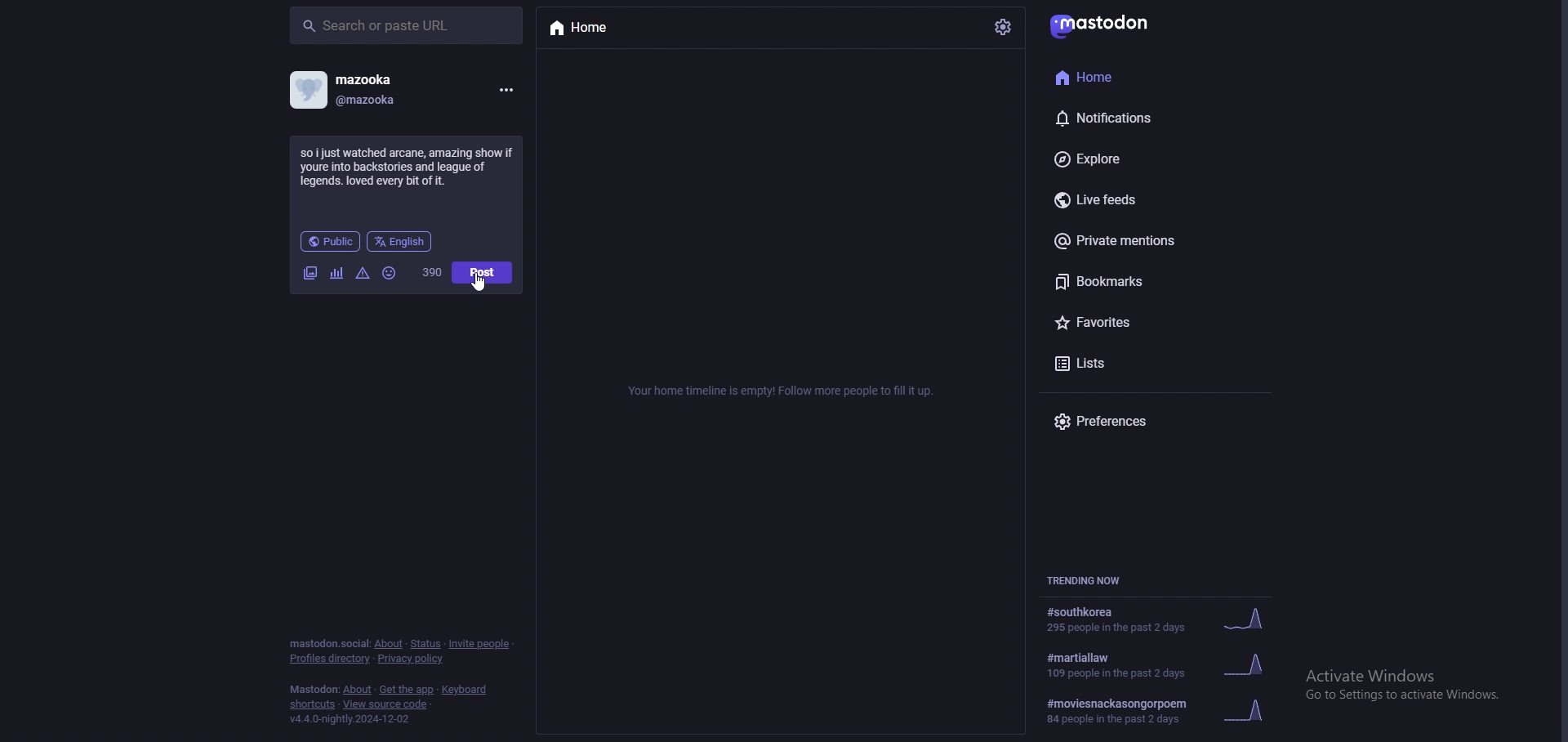  Describe the element at coordinates (1163, 664) in the screenshot. I see `trending` at that location.